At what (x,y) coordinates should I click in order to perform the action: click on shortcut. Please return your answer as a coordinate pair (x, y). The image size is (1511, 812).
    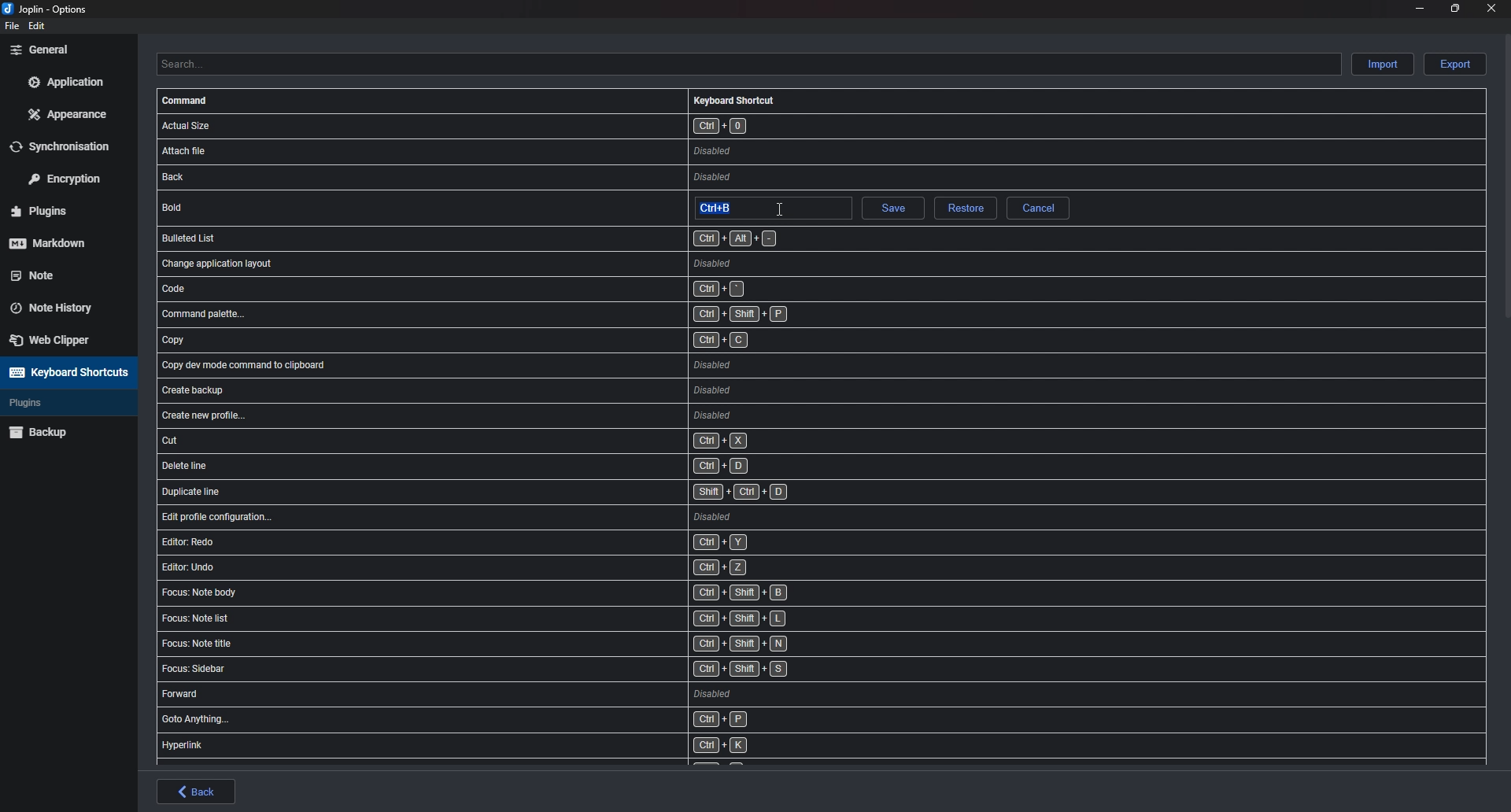
    Looking at the image, I should click on (525, 262).